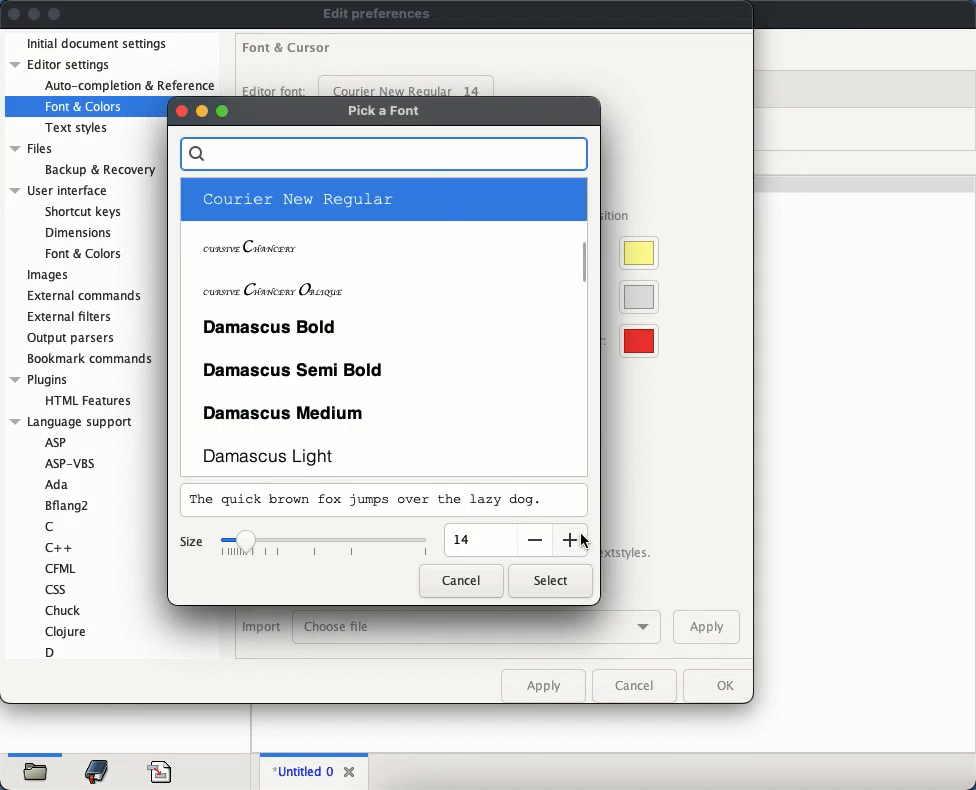 The image size is (976, 790). What do you see at coordinates (381, 326) in the screenshot?
I see `damascus bold` at bounding box center [381, 326].